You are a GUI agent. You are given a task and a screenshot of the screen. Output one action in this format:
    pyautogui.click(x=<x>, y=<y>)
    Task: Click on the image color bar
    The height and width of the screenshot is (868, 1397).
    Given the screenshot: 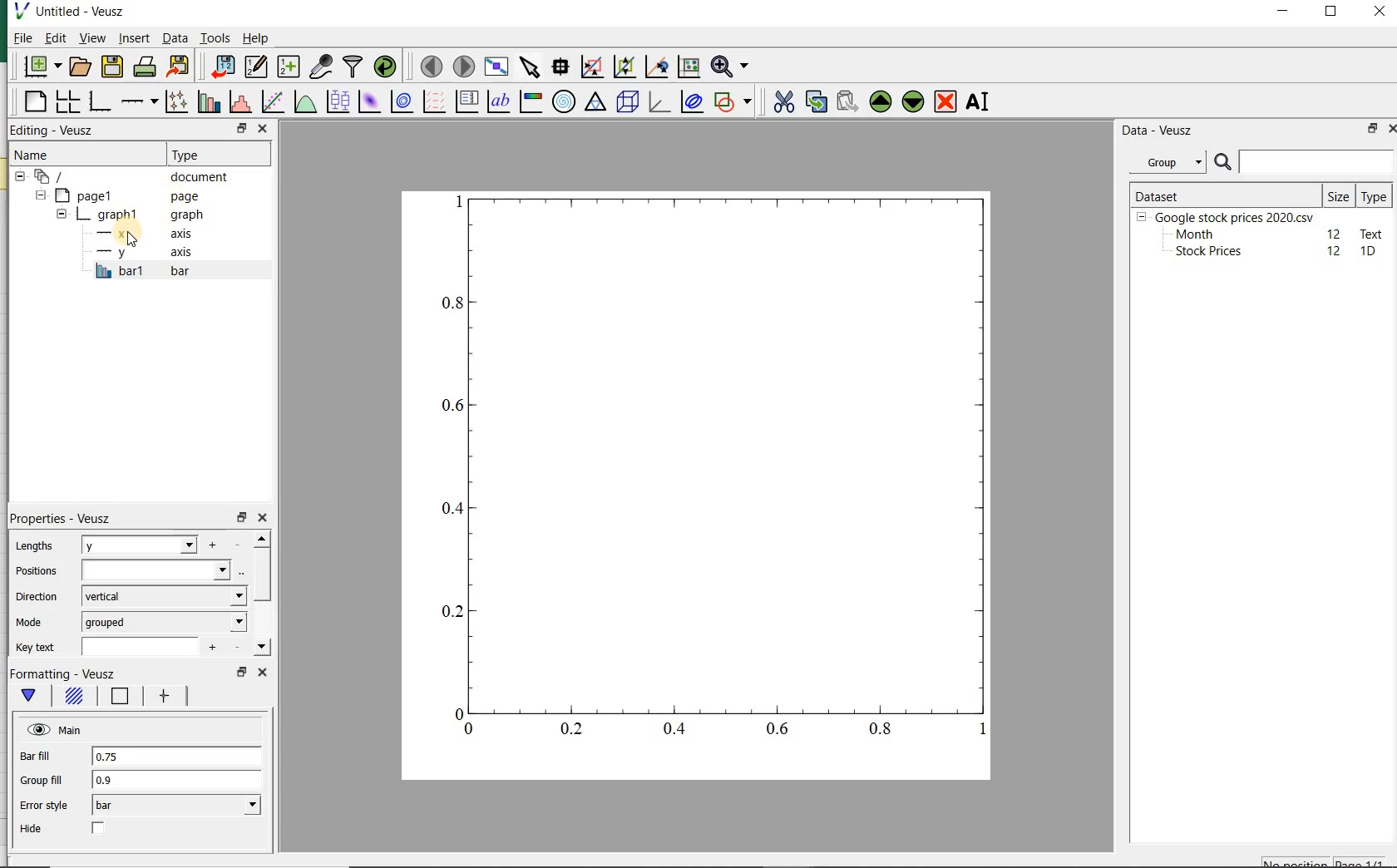 What is the action you would take?
    pyautogui.click(x=529, y=101)
    